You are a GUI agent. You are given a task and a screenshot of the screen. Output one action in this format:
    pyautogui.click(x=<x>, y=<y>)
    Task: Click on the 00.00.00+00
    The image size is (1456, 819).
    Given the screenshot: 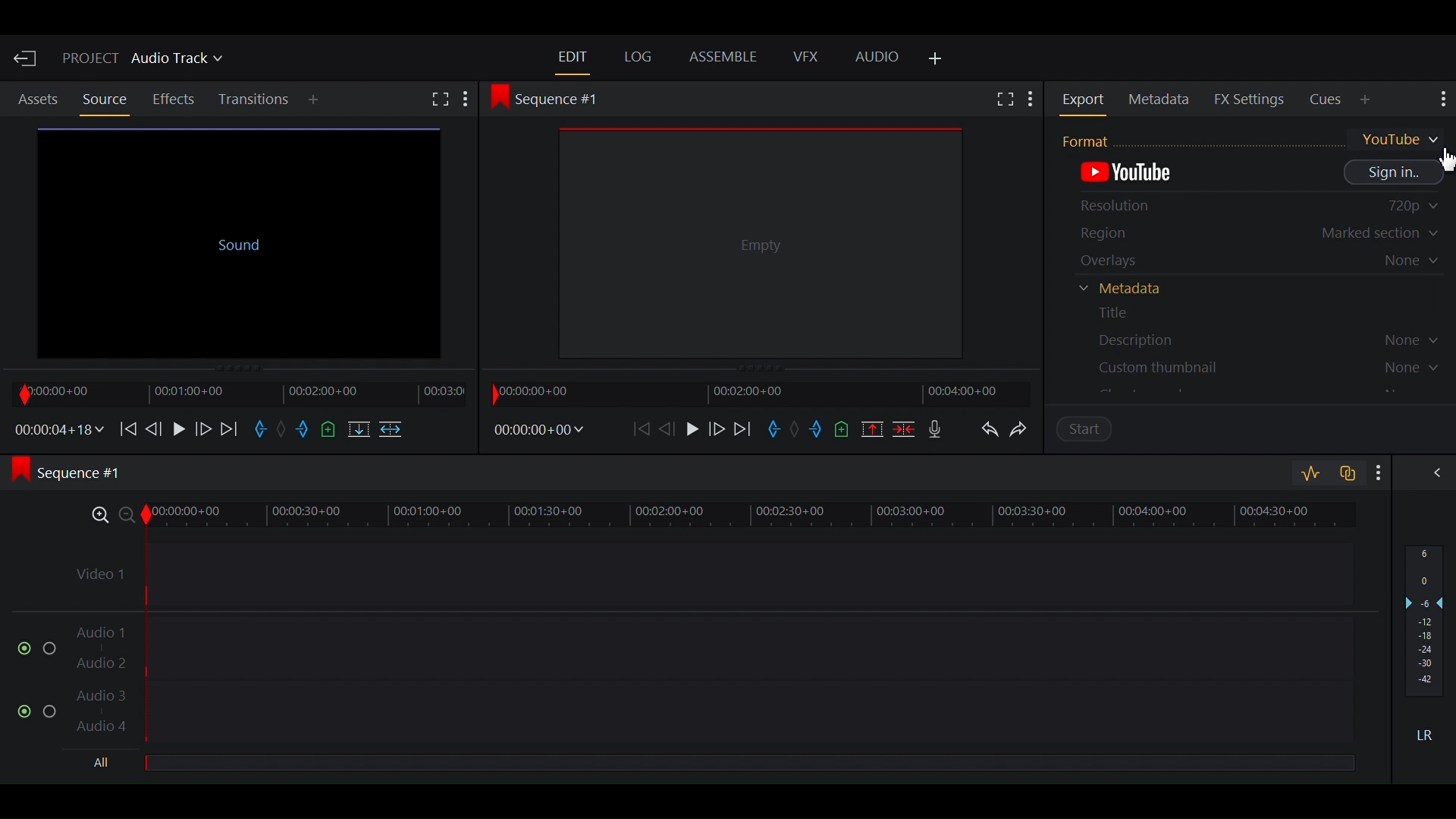 What is the action you would take?
    pyautogui.click(x=538, y=430)
    